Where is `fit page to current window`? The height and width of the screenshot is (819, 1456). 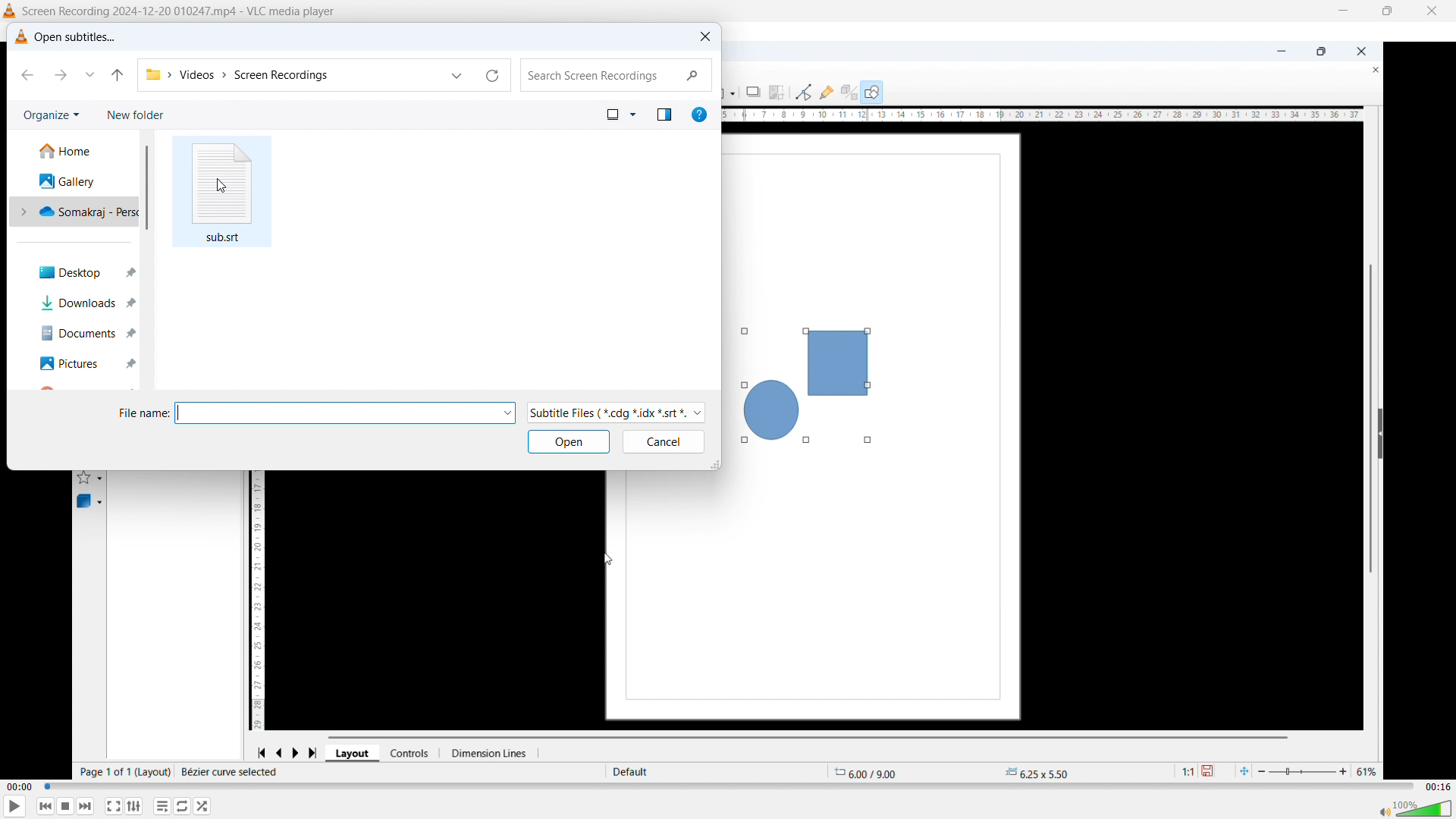
fit page to current window is located at coordinates (1244, 770).